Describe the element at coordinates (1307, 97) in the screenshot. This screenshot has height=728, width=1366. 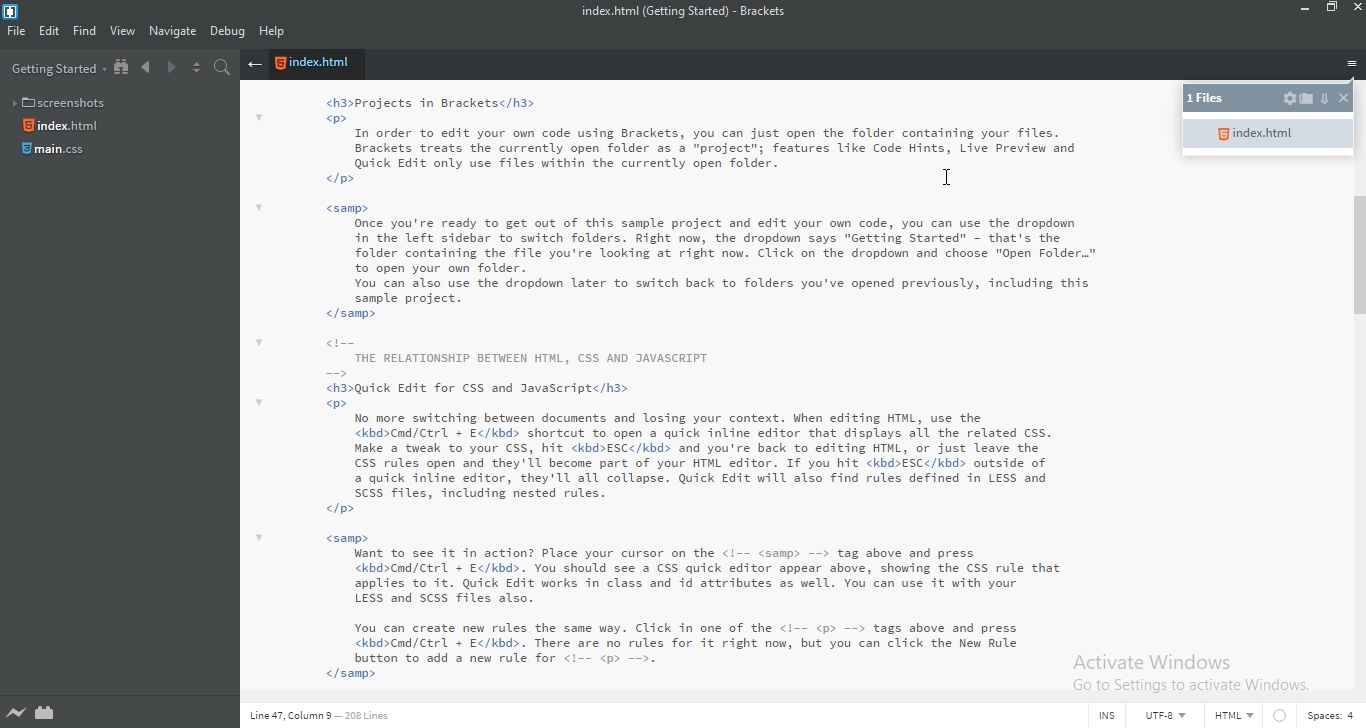
I see `open folder` at that location.